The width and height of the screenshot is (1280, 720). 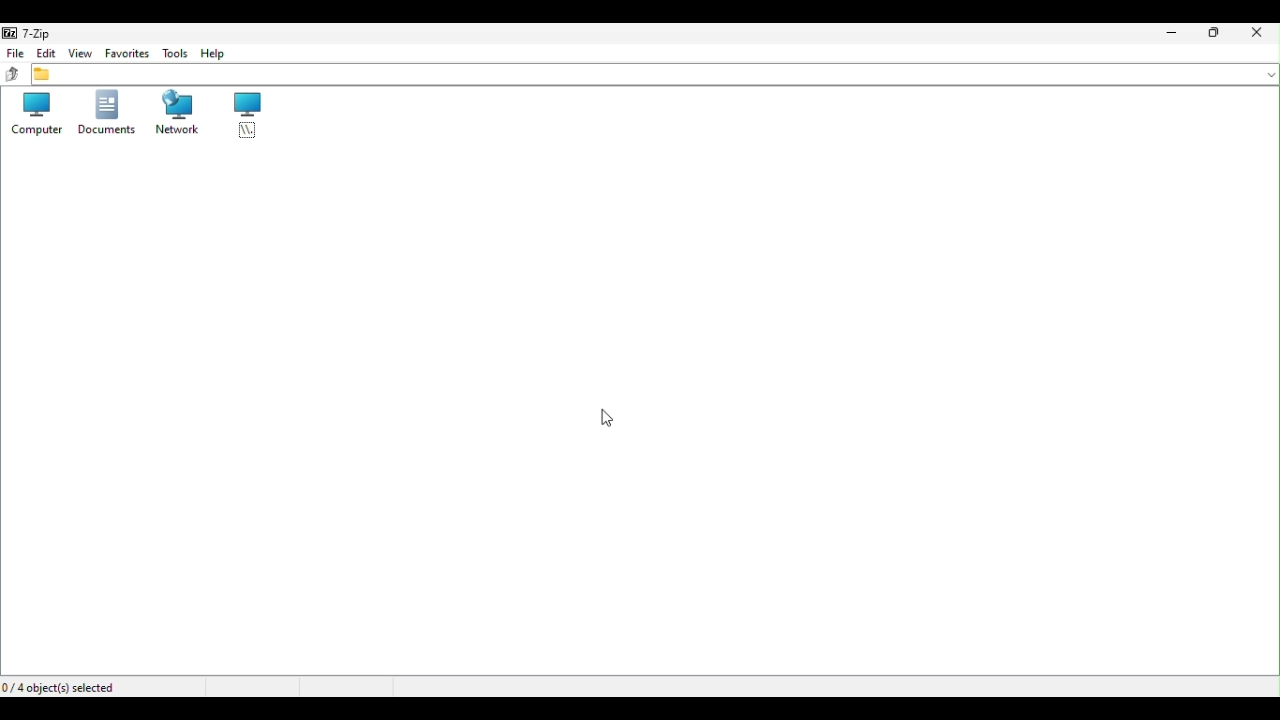 What do you see at coordinates (31, 117) in the screenshot?
I see `Computer` at bounding box center [31, 117].